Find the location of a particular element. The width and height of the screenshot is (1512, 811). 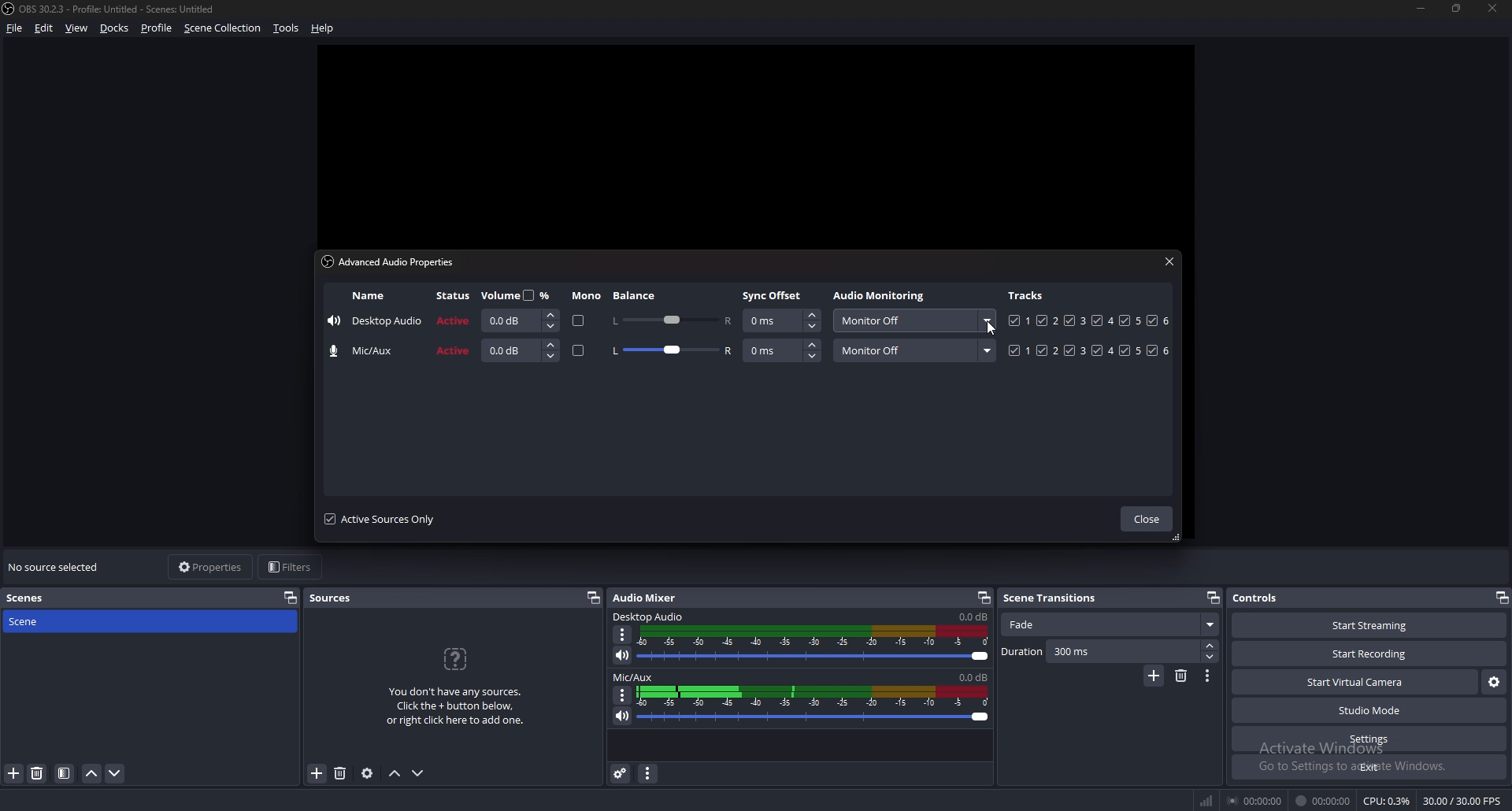

tools is located at coordinates (285, 29).